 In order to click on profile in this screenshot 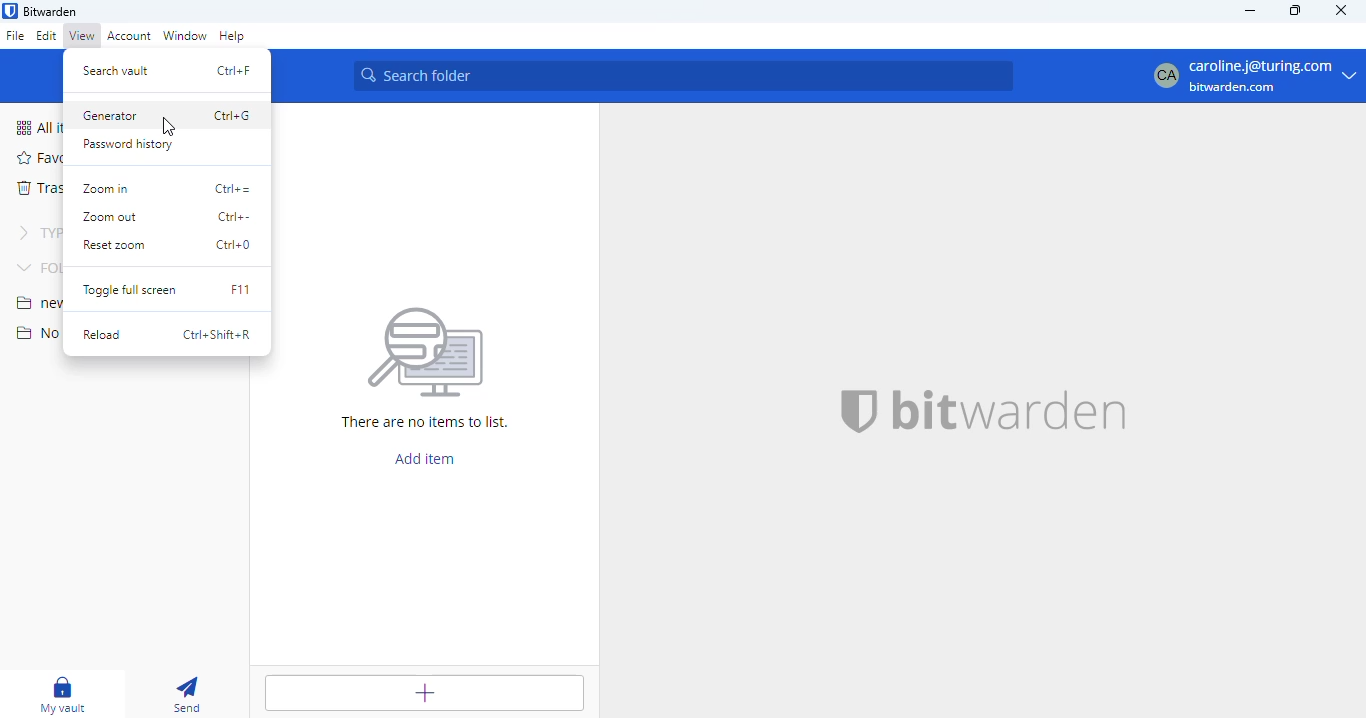, I will do `click(1253, 75)`.